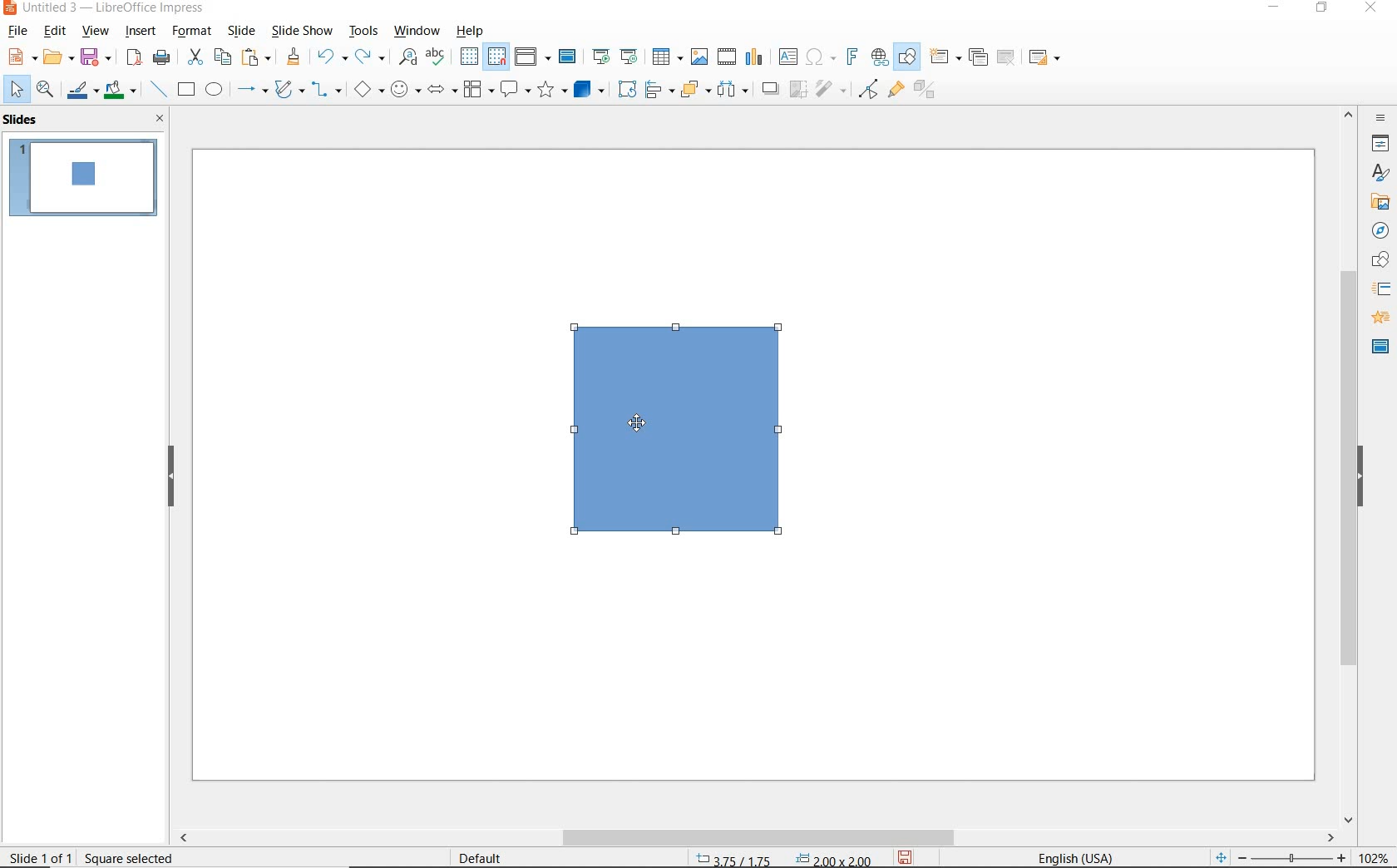  Describe the element at coordinates (44, 89) in the screenshot. I see `zoom & pan` at that location.